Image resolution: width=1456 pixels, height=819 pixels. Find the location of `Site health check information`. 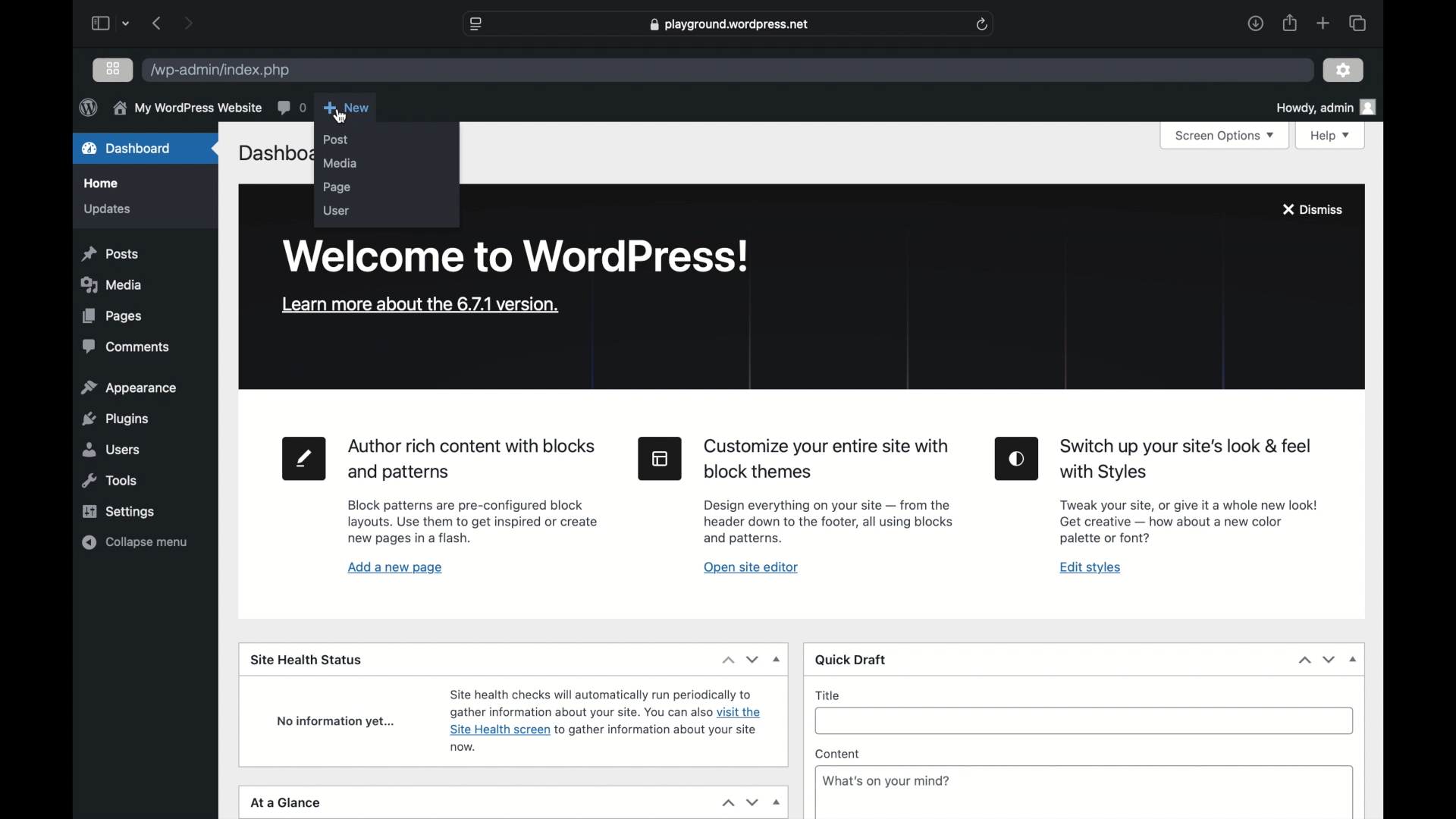

Site health check information is located at coordinates (604, 720).